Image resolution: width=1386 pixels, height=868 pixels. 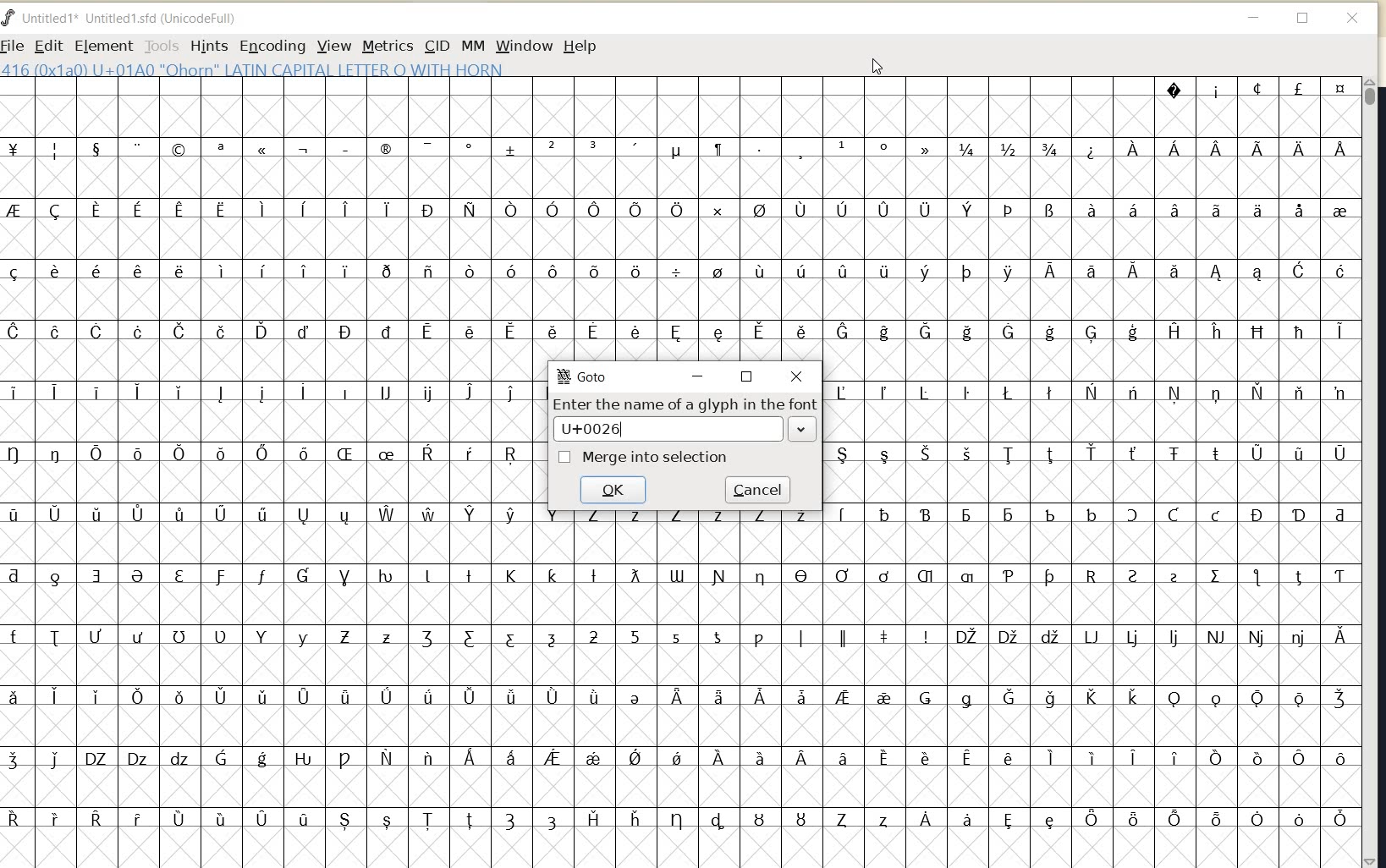 What do you see at coordinates (584, 376) in the screenshot?
I see `GoTo` at bounding box center [584, 376].